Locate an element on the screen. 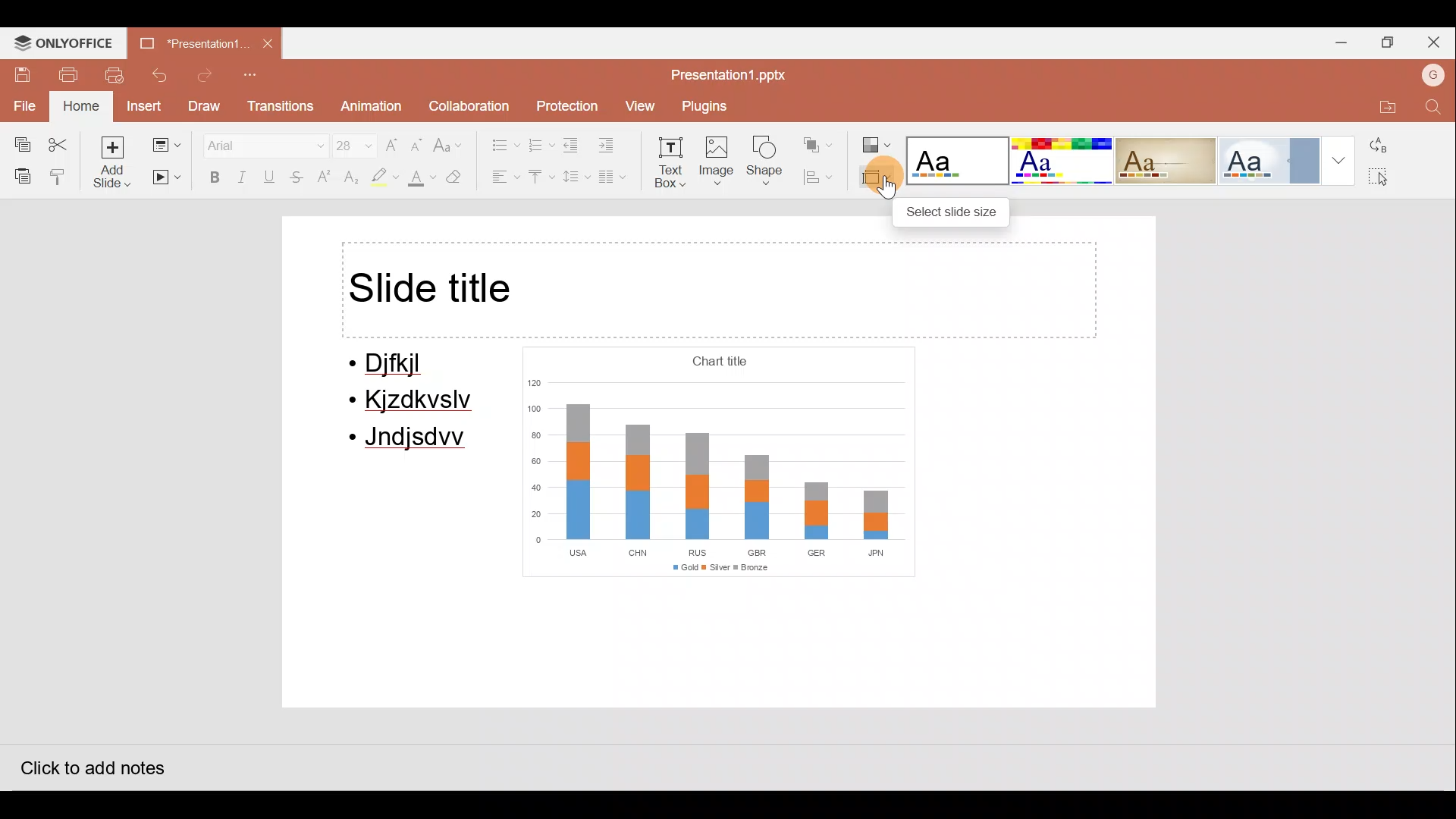  Plugins is located at coordinates (709, 106).